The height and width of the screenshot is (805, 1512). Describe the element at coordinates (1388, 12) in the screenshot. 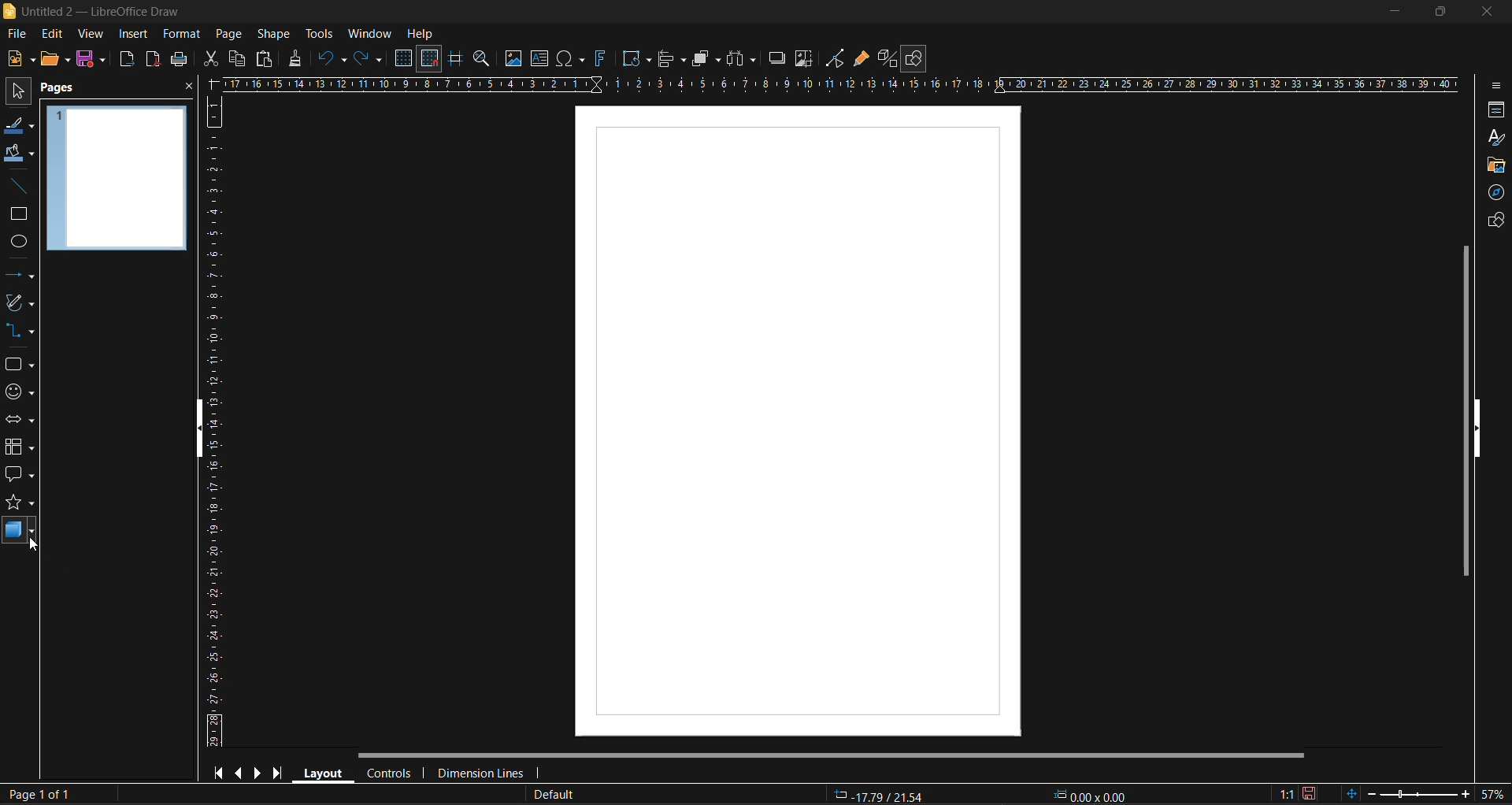

I see `minimize` at that location.